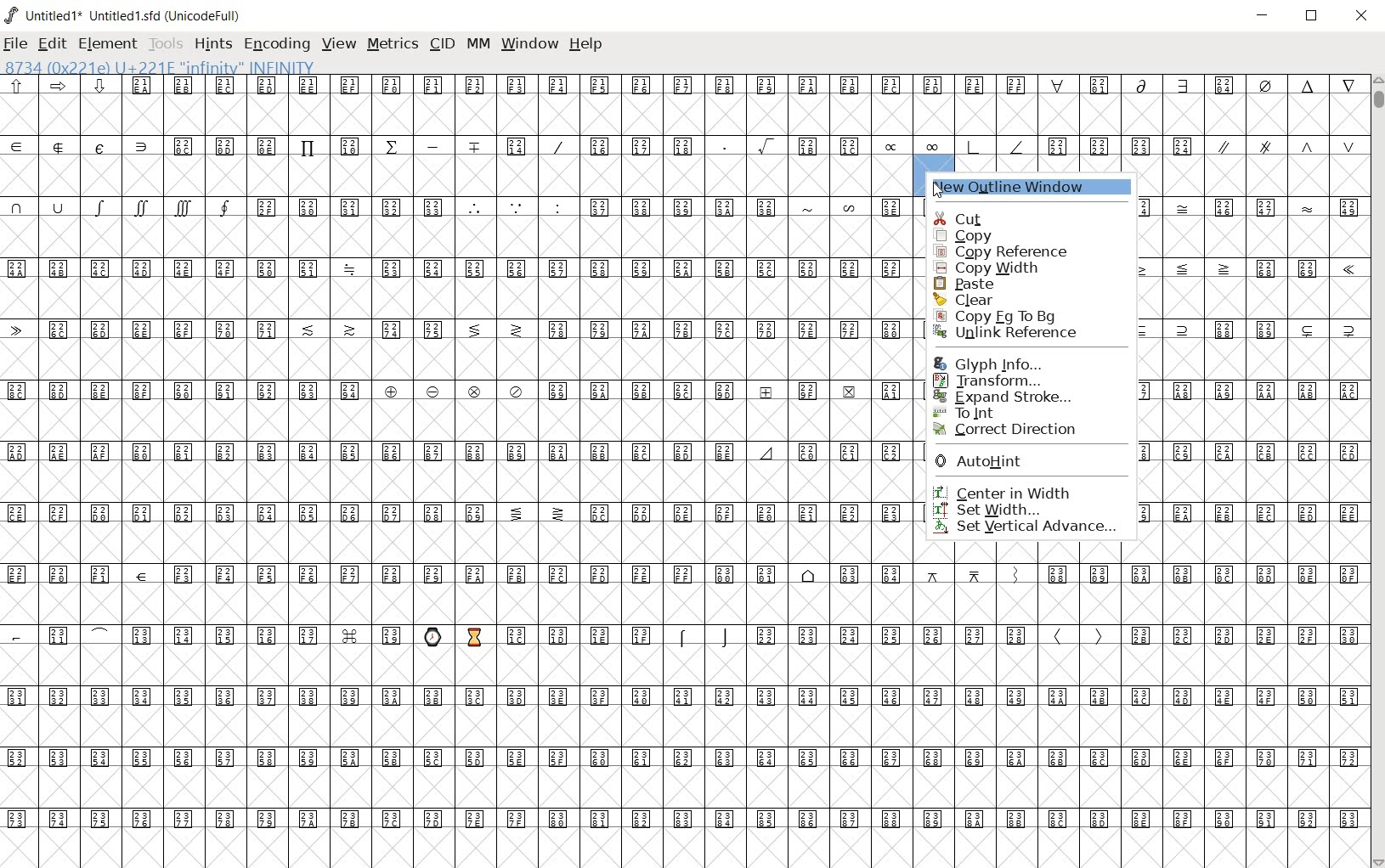 The image size is (1385, 868). I want to click on restore down, so click(1314, 18).